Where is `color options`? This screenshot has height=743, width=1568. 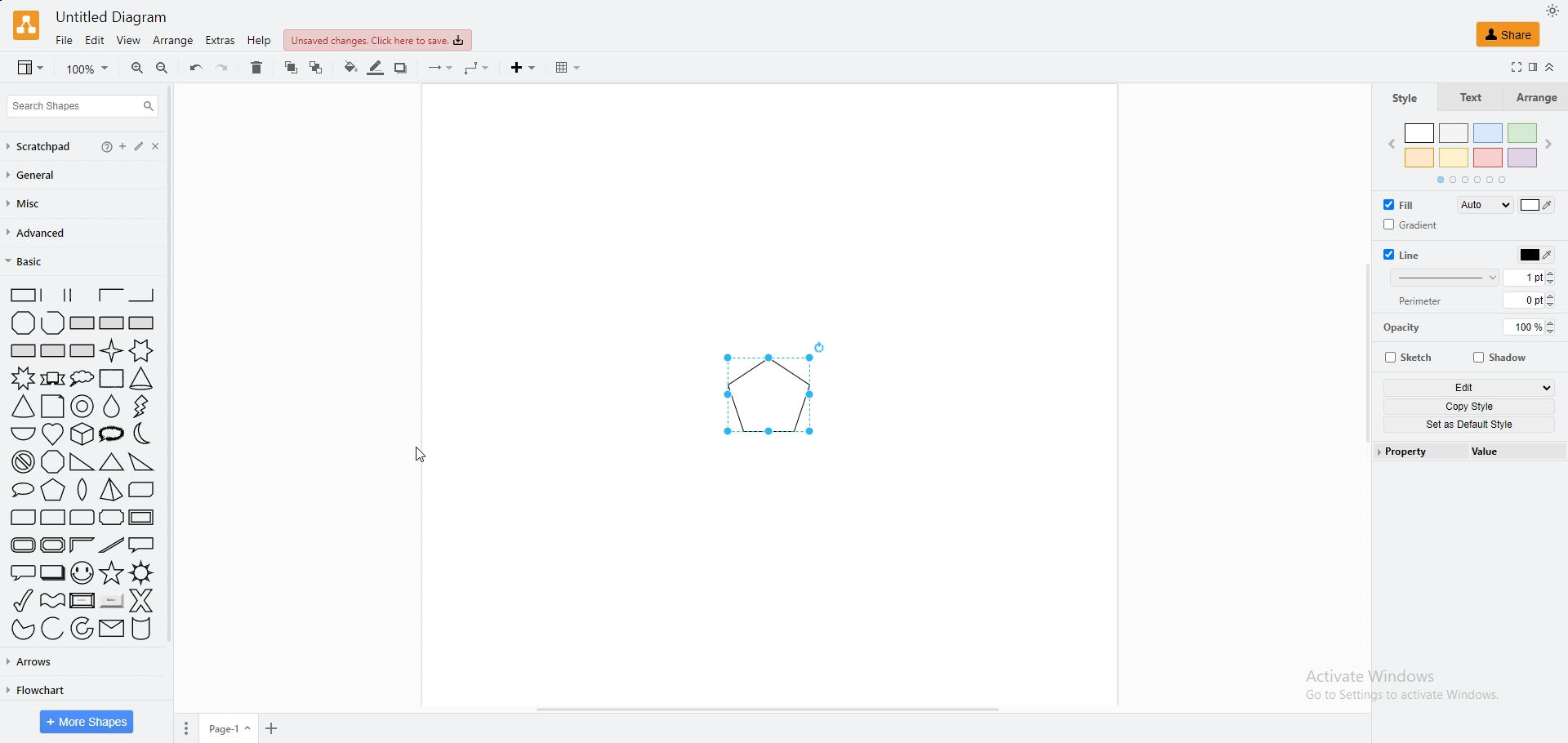
color options is located at coordinates (1472, 180).